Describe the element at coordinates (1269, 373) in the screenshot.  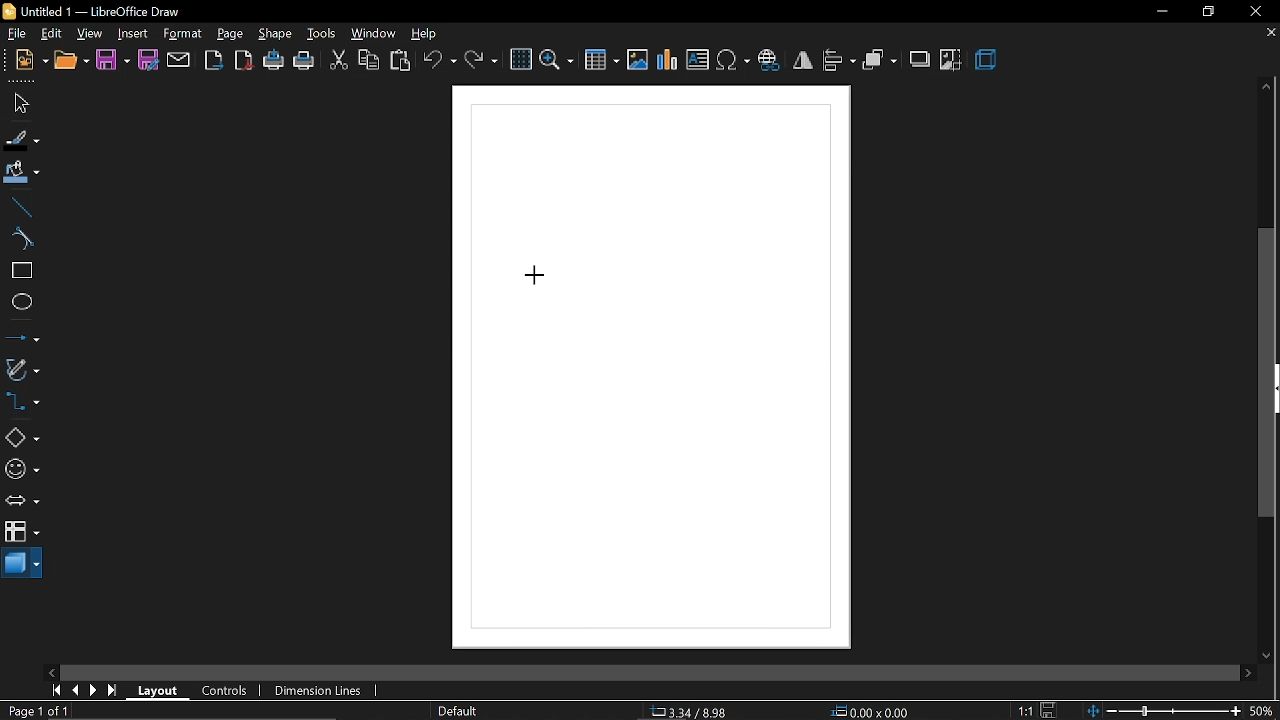
I see `vertical scrollbar` at that location.